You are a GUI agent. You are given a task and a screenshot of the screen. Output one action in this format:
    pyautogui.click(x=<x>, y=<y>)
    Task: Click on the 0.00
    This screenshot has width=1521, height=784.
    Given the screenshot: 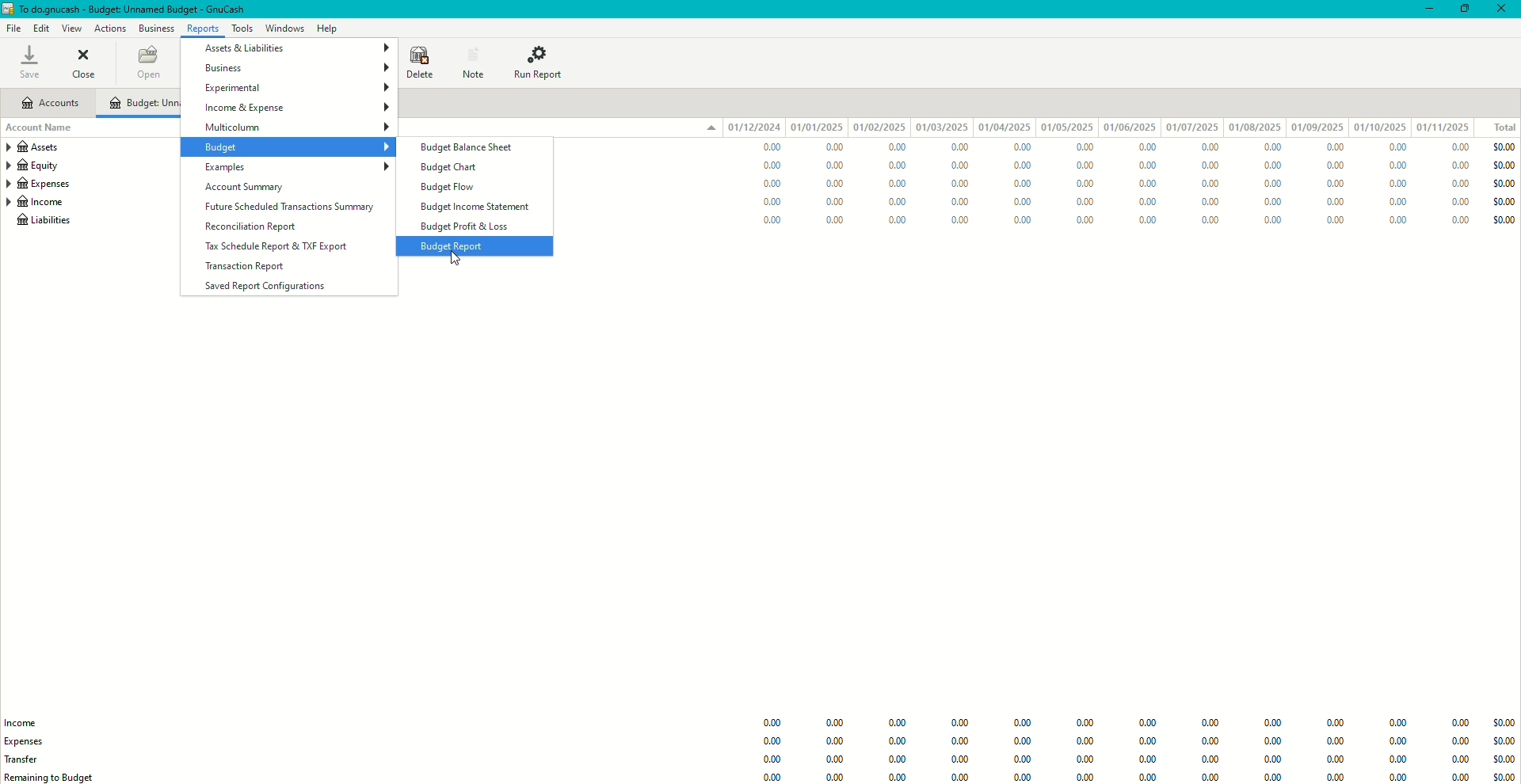 What is the action you would take?
    pyautogui.click(x=898, y=777)
    